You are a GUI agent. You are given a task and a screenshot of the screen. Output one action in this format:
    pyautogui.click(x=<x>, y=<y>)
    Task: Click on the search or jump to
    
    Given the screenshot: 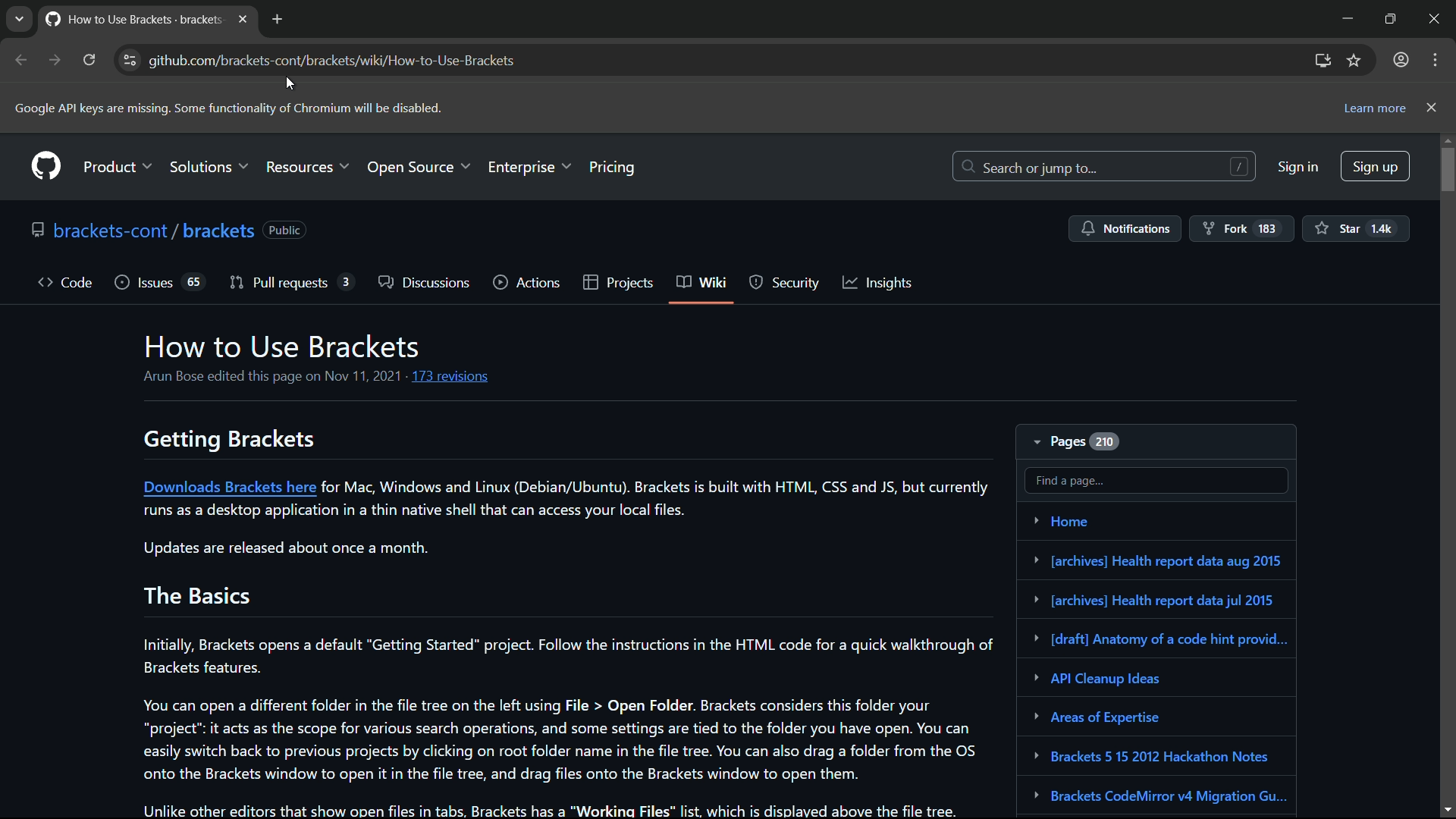 What is the action you would take?
    pyautogui.click(x=1103, y=166)
    